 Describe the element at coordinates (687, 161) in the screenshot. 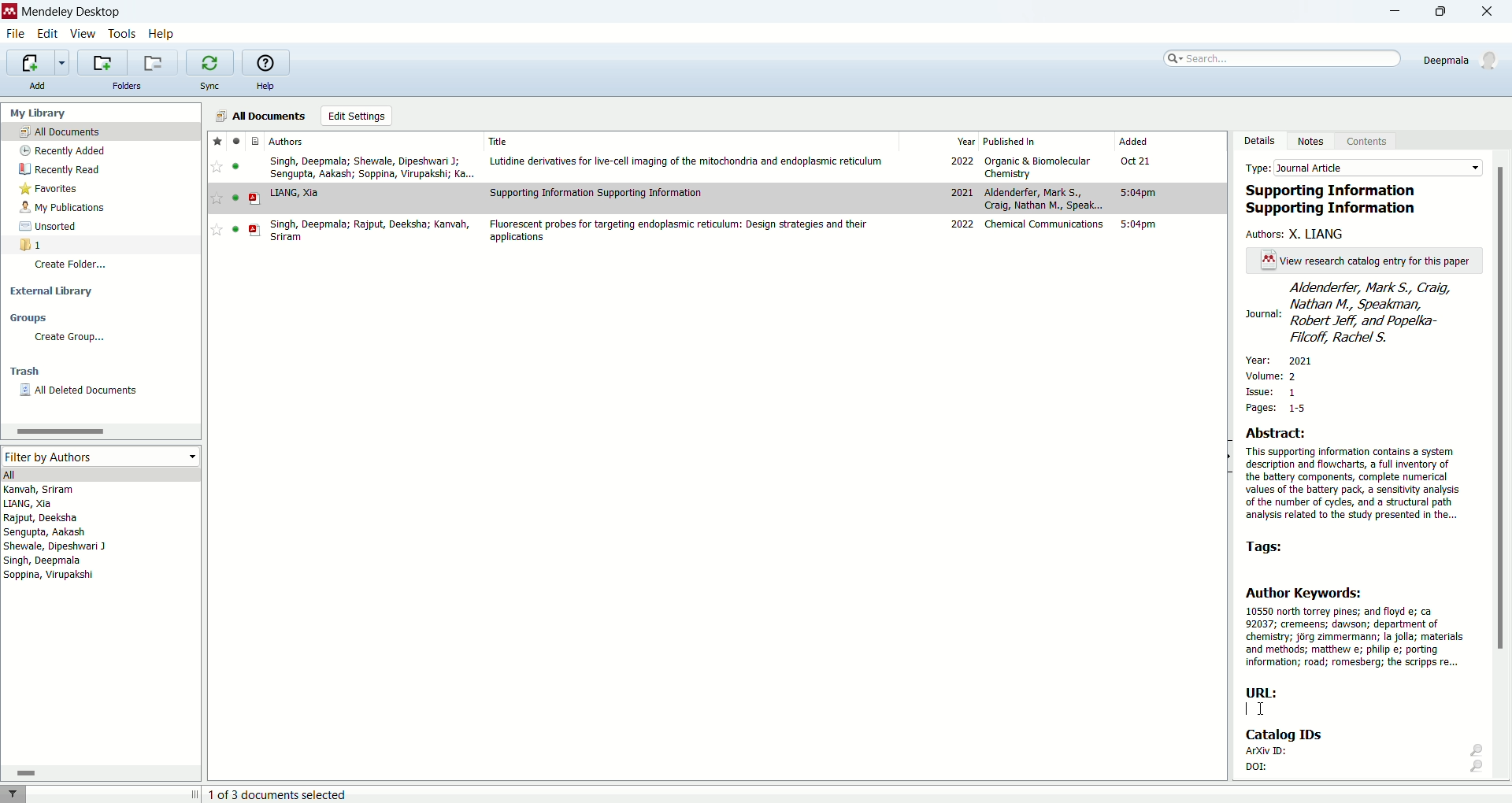

I see `Lutidine derivatives for live-cell imaging of the mitochondria and endoplasmic reticulum` at that location.